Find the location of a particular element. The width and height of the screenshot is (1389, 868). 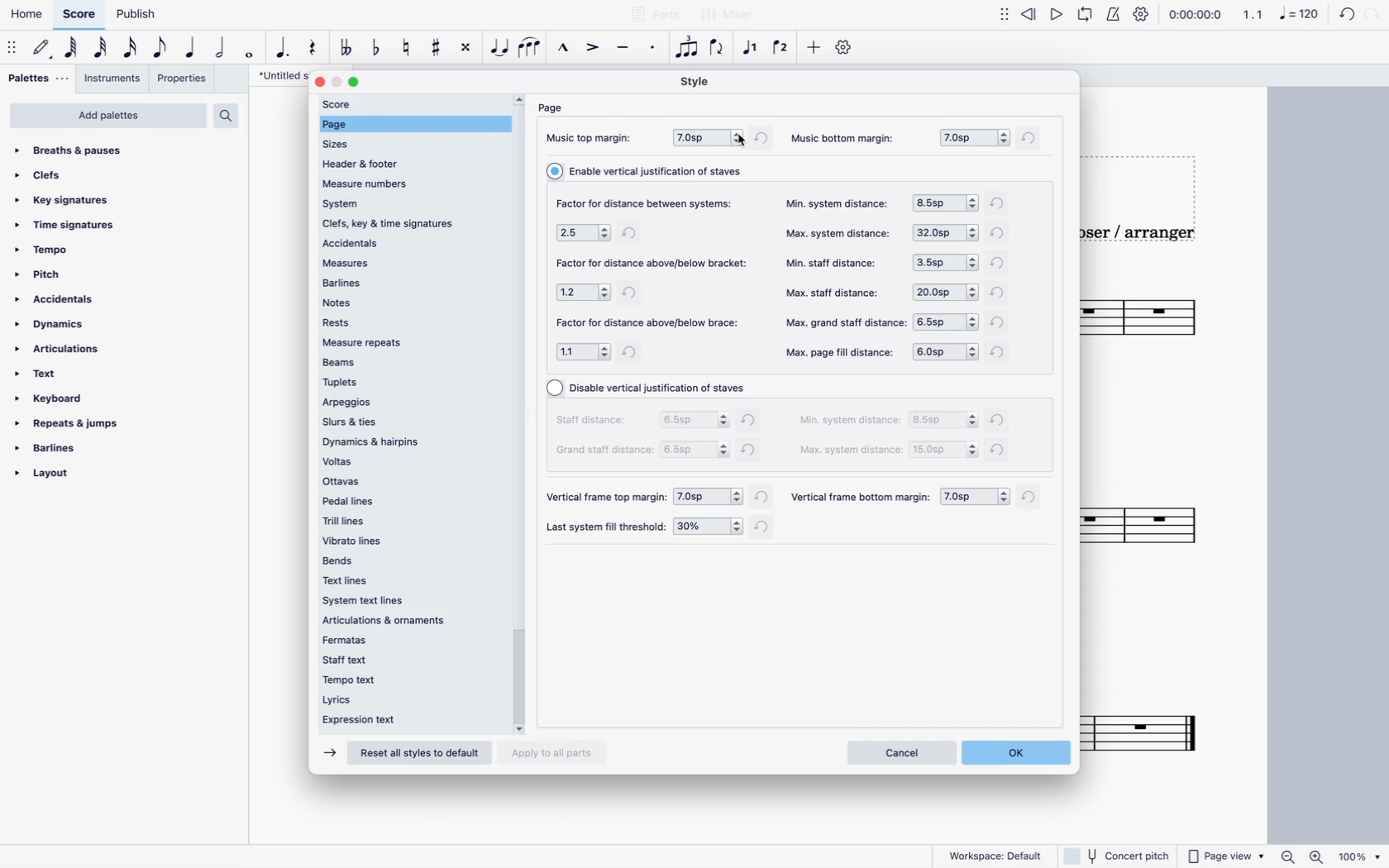

default is located at coordinates (42, 50).